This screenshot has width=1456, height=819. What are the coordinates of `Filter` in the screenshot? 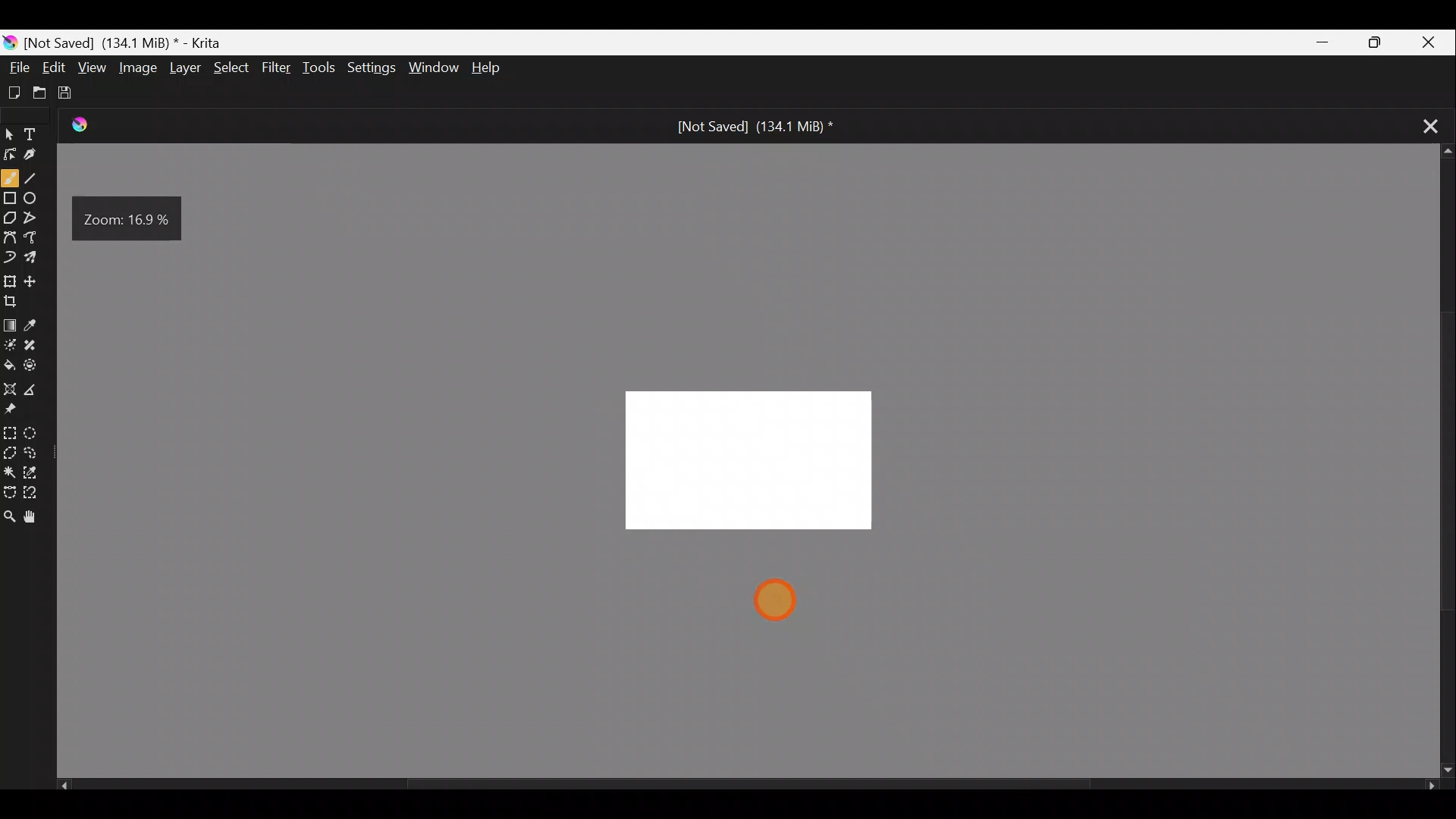 It's located at (278, 72).